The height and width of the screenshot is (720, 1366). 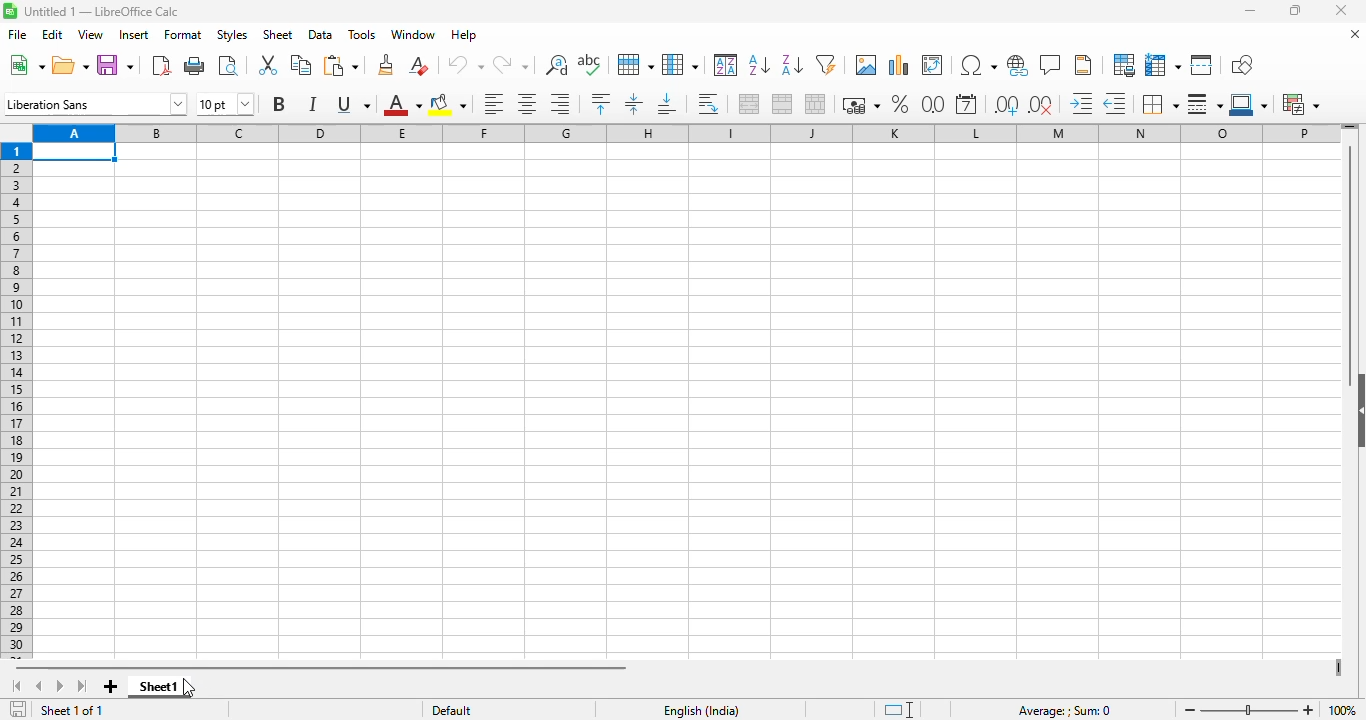 What do you see at coordinates (102, 12) in the screenshot?
I see `Untitled 1 - LibreOffice Calc` at bounding box center [102, 12].